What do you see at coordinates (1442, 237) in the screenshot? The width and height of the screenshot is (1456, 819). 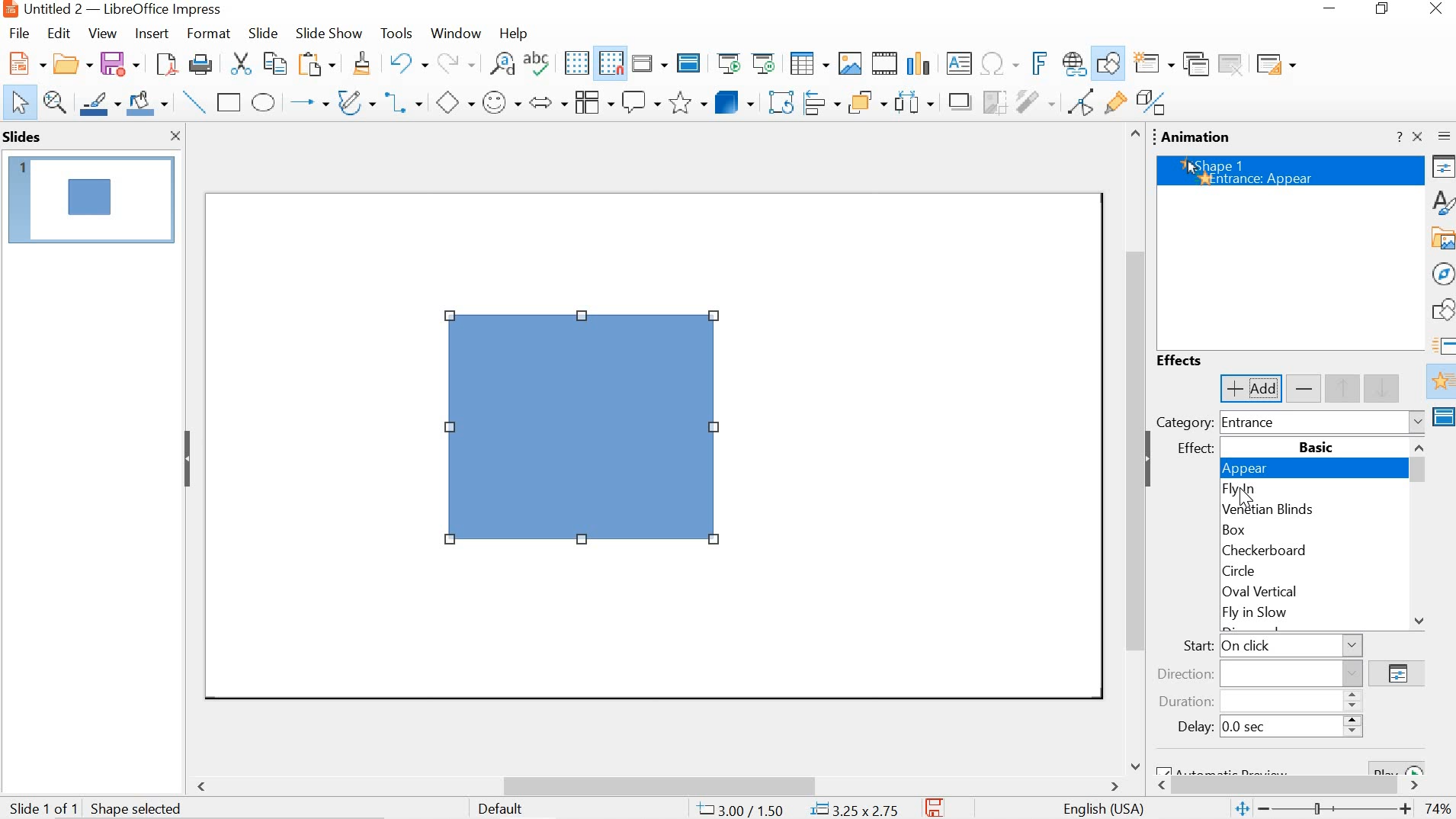 I see `gallery` at bounding box center [1442, 237].